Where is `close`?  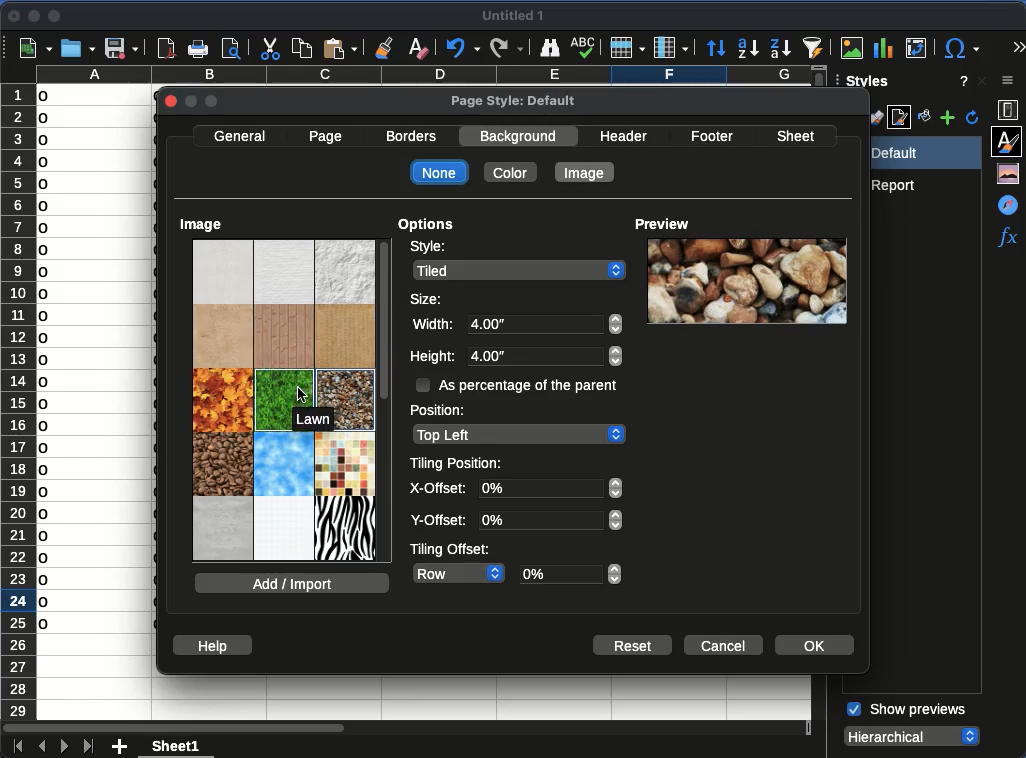
close is located at coordinates (982, 81).